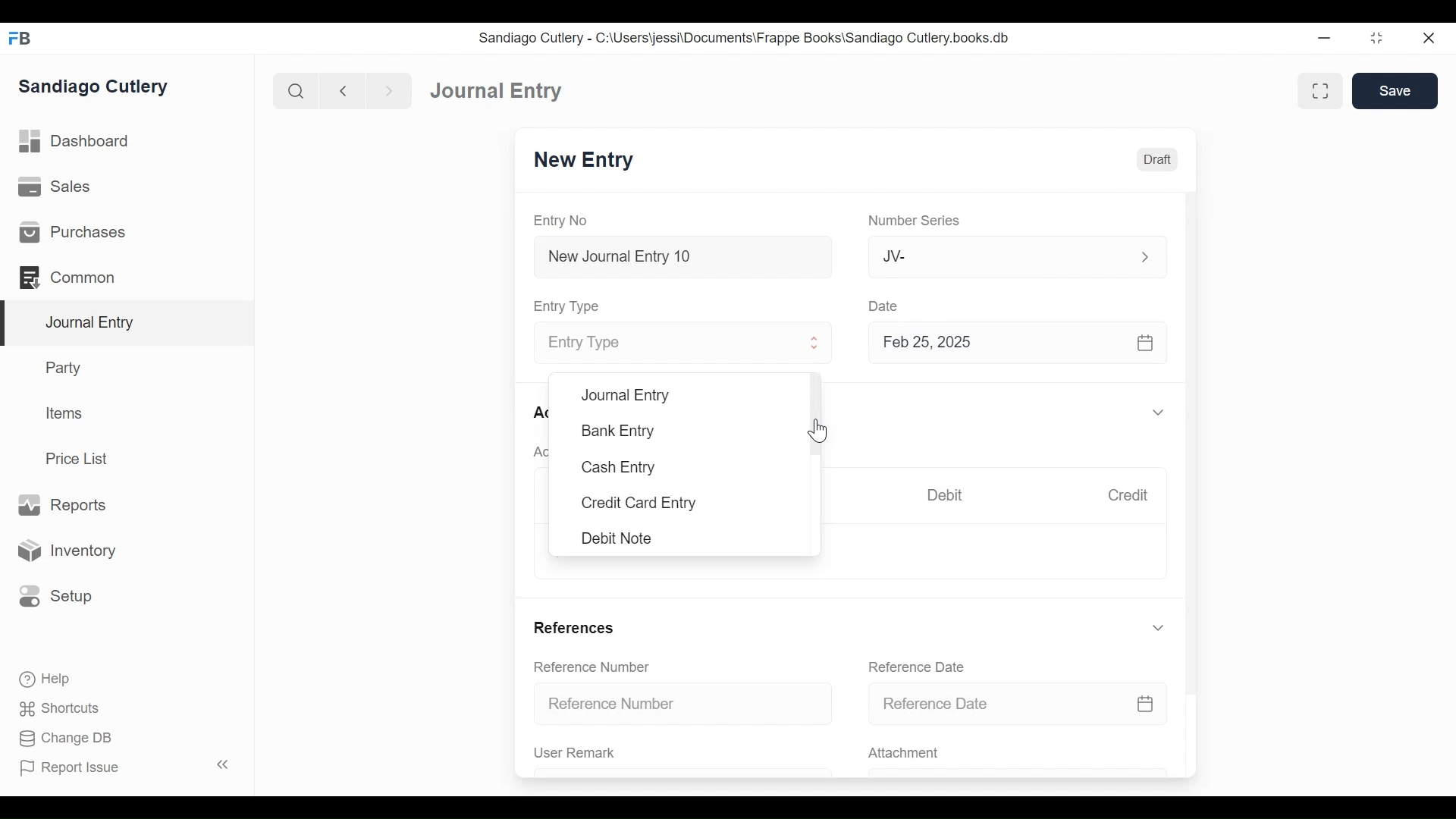 The height and width of the screenshot is (819, 1456). Describe the element at coordinates (19, 38) in the screenshot. I see `Frappe Books Desktop icon` at that location.